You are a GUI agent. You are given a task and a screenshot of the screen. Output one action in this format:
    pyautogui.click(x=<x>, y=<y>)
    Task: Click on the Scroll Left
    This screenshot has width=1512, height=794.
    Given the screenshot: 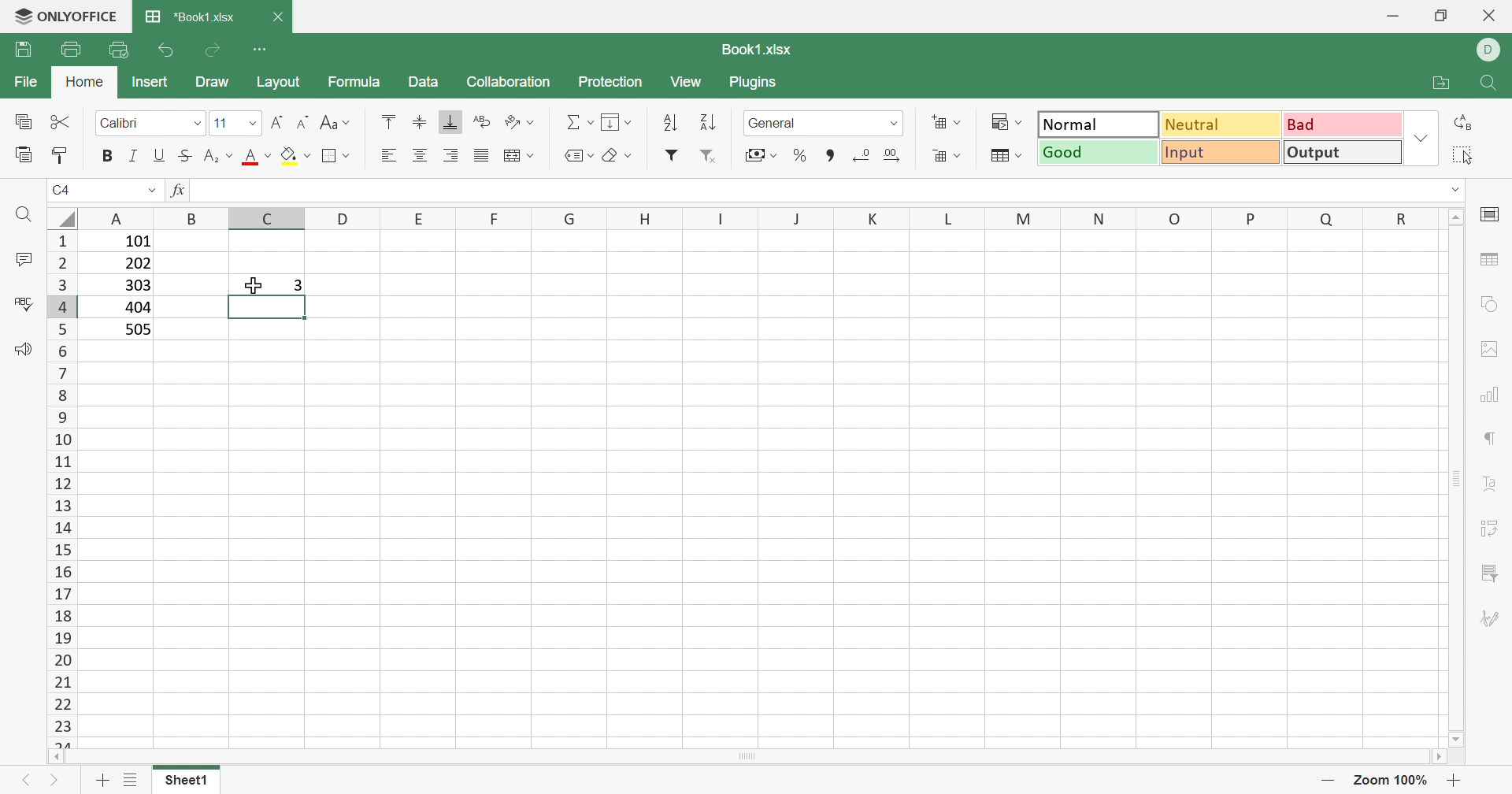 What is the action you would take?
    pyautogui.click(x=62, y=759)
    